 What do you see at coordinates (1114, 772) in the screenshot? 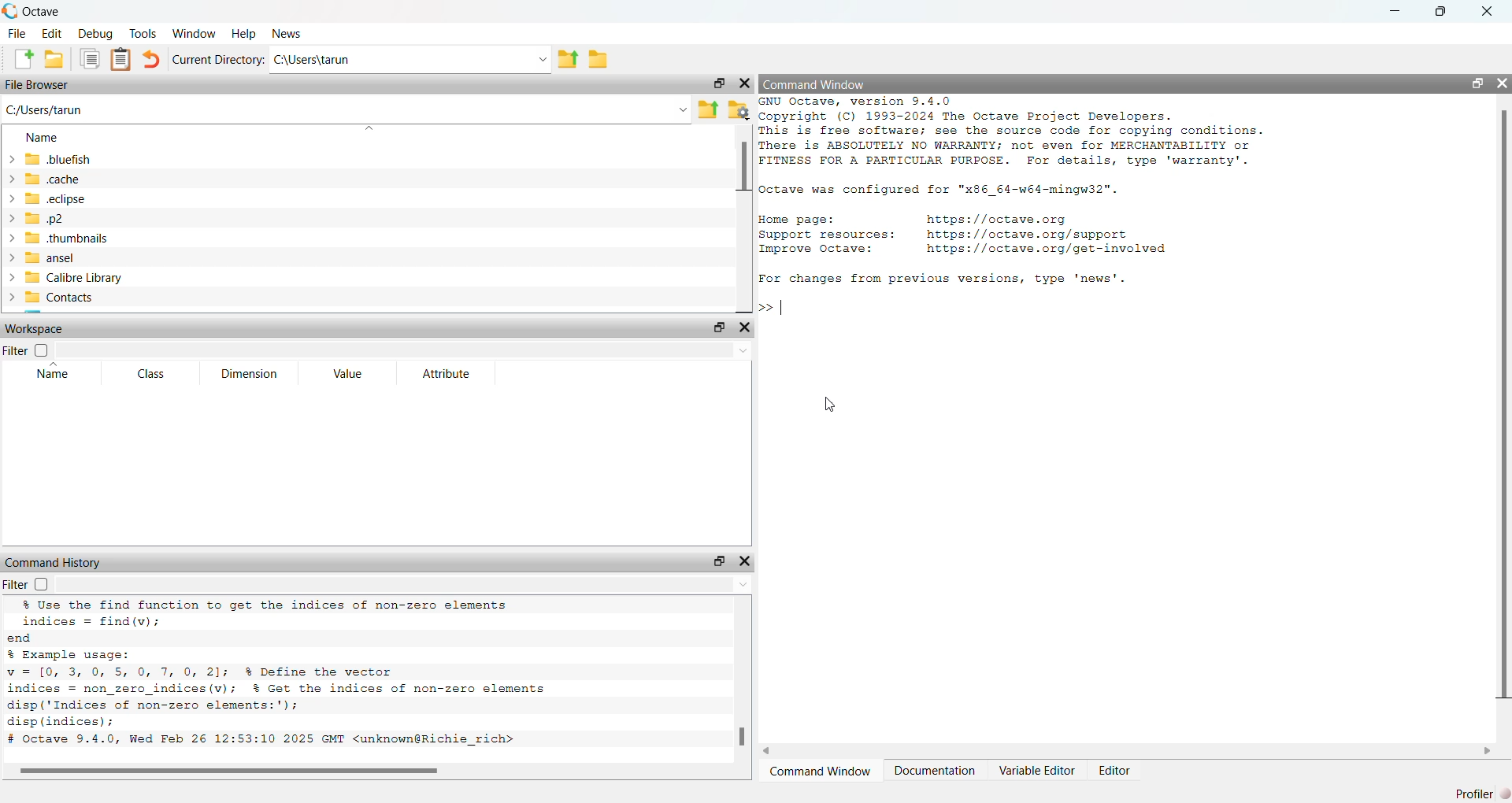
I see `Editor` at bounding box center [1114, 772].